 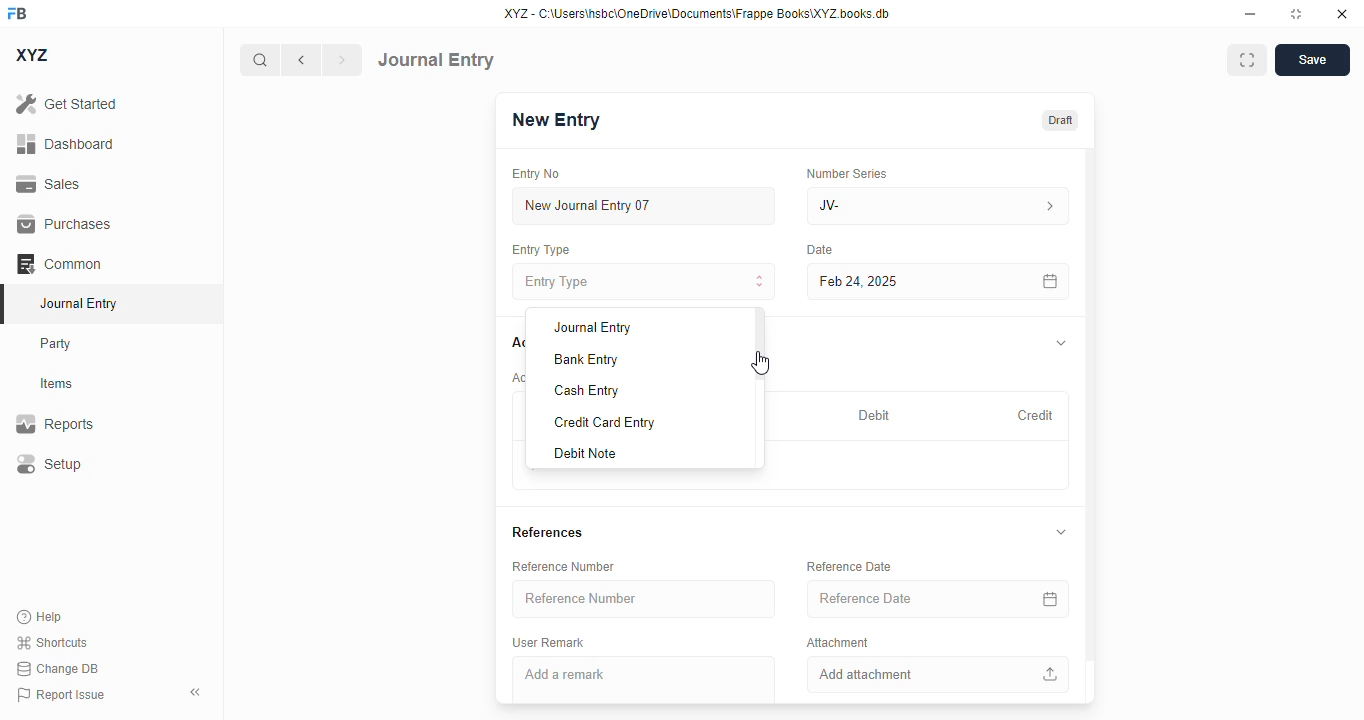 I want to click on journal entry, so click(x=80, y=303).